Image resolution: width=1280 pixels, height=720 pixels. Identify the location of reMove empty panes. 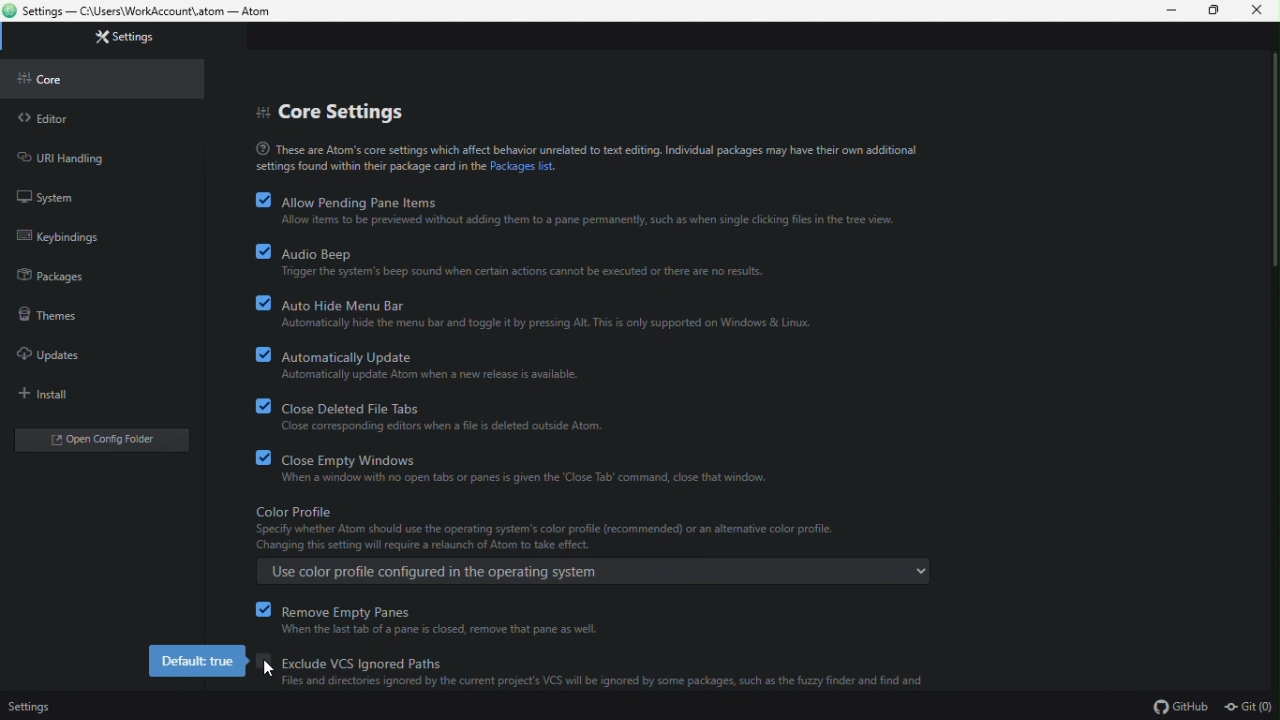
(602, 620).